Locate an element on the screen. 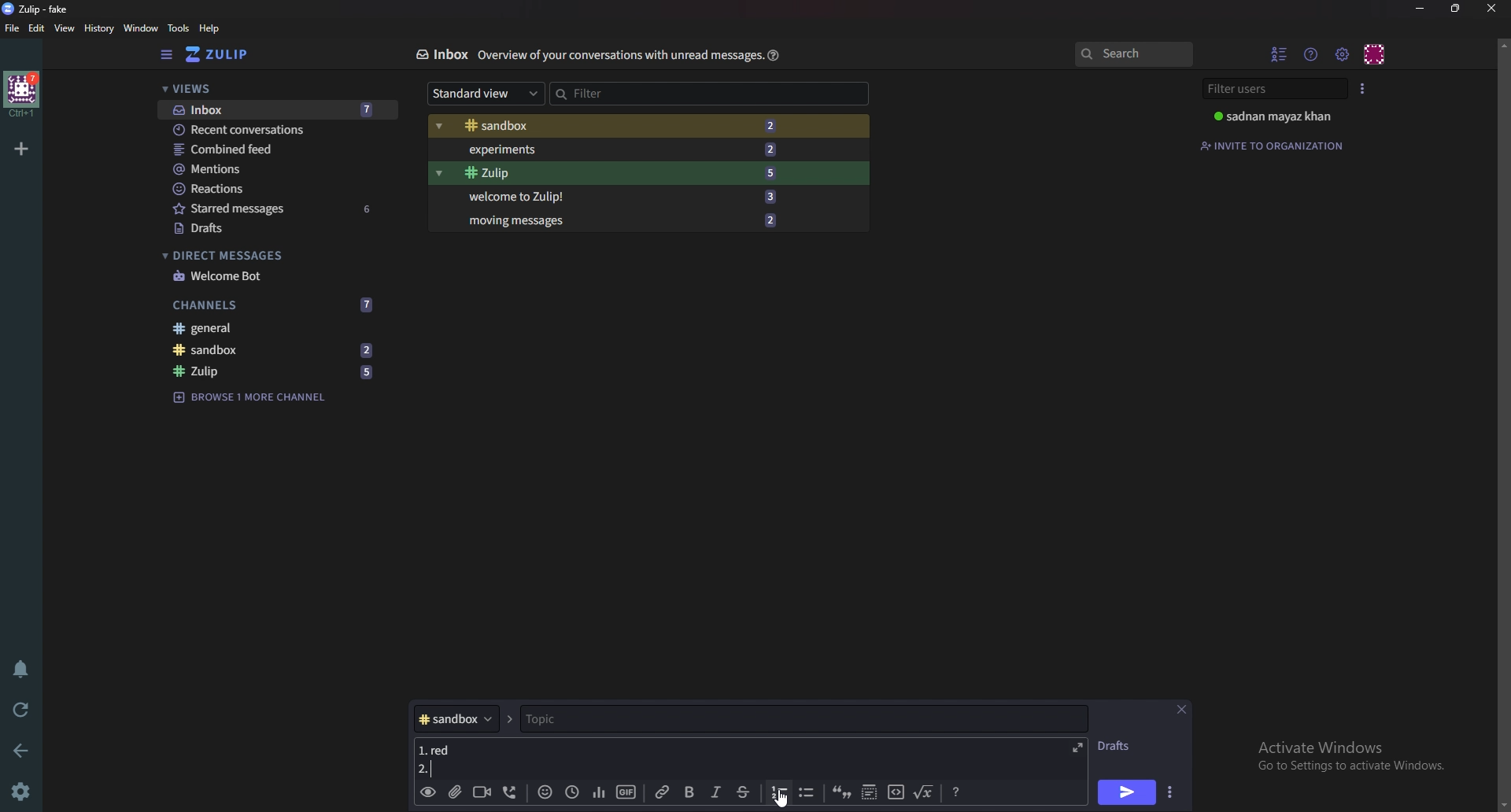 This screenshot has height=812, width=1511. Minimize is located at coordinates (1421, 8).